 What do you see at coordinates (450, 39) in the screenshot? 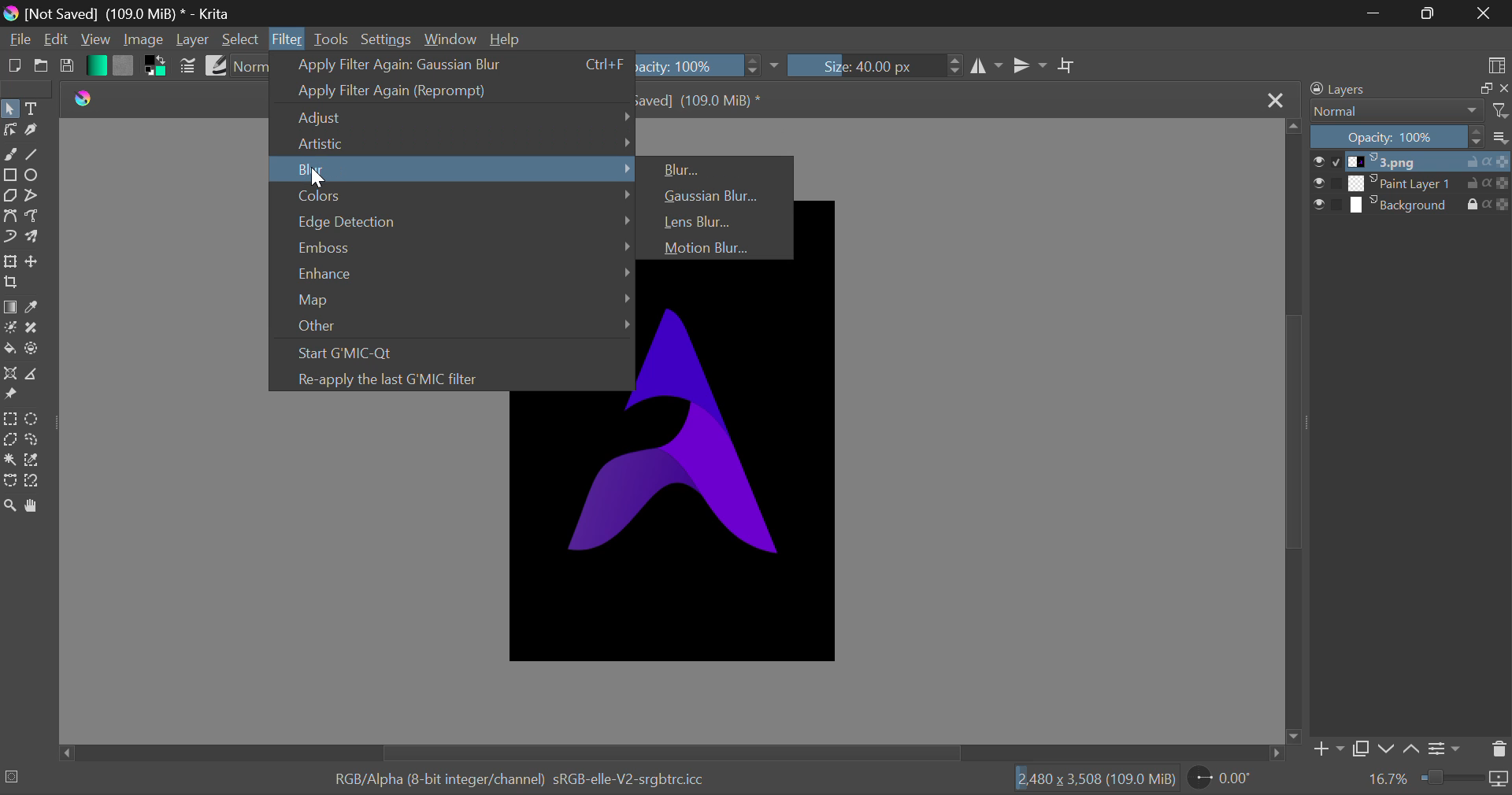
I see `Window` at bounding box center [450, 39].